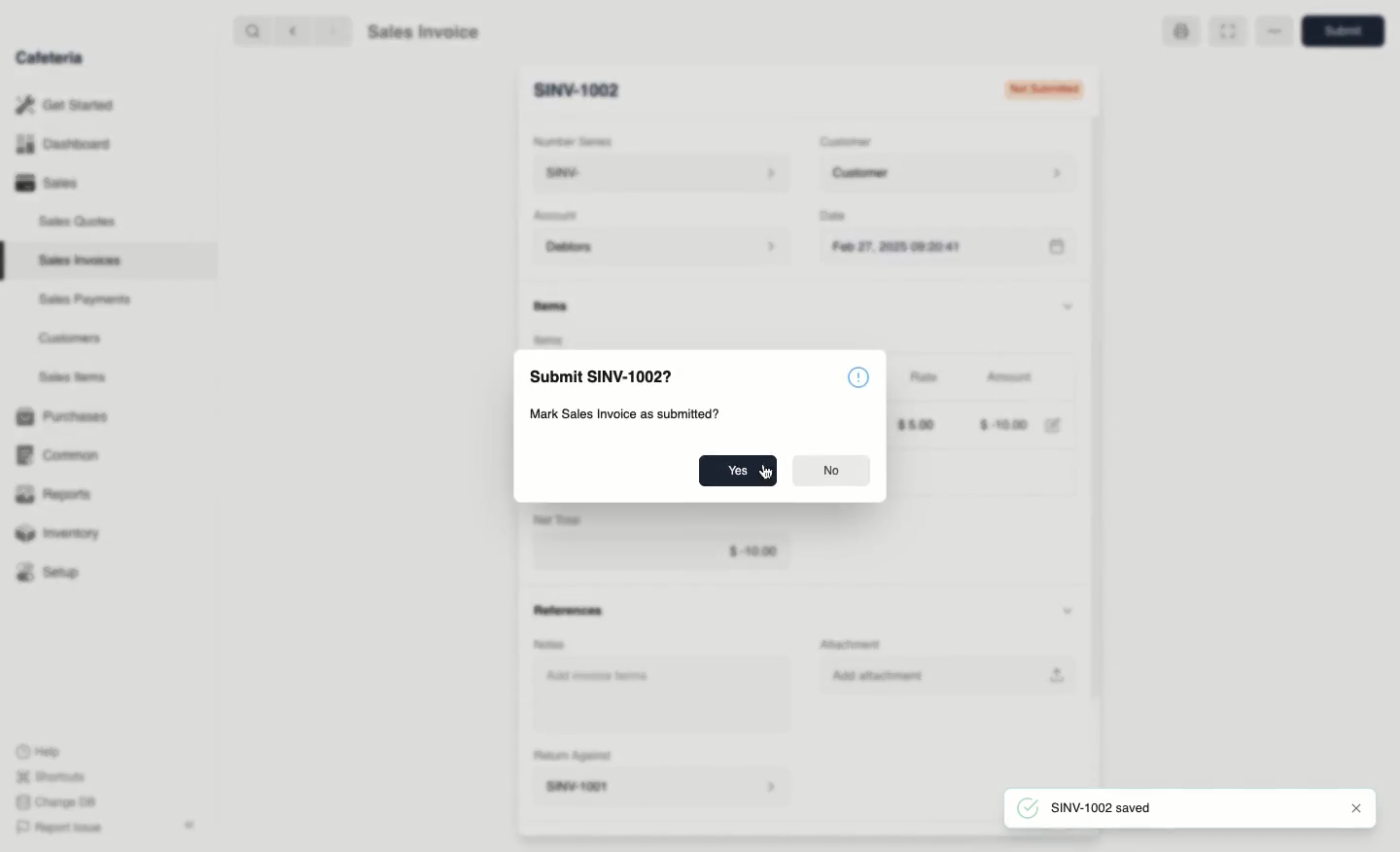 The height and width of the screenshot is (852, 1400). I want to click on cursor, so click(771, 474).